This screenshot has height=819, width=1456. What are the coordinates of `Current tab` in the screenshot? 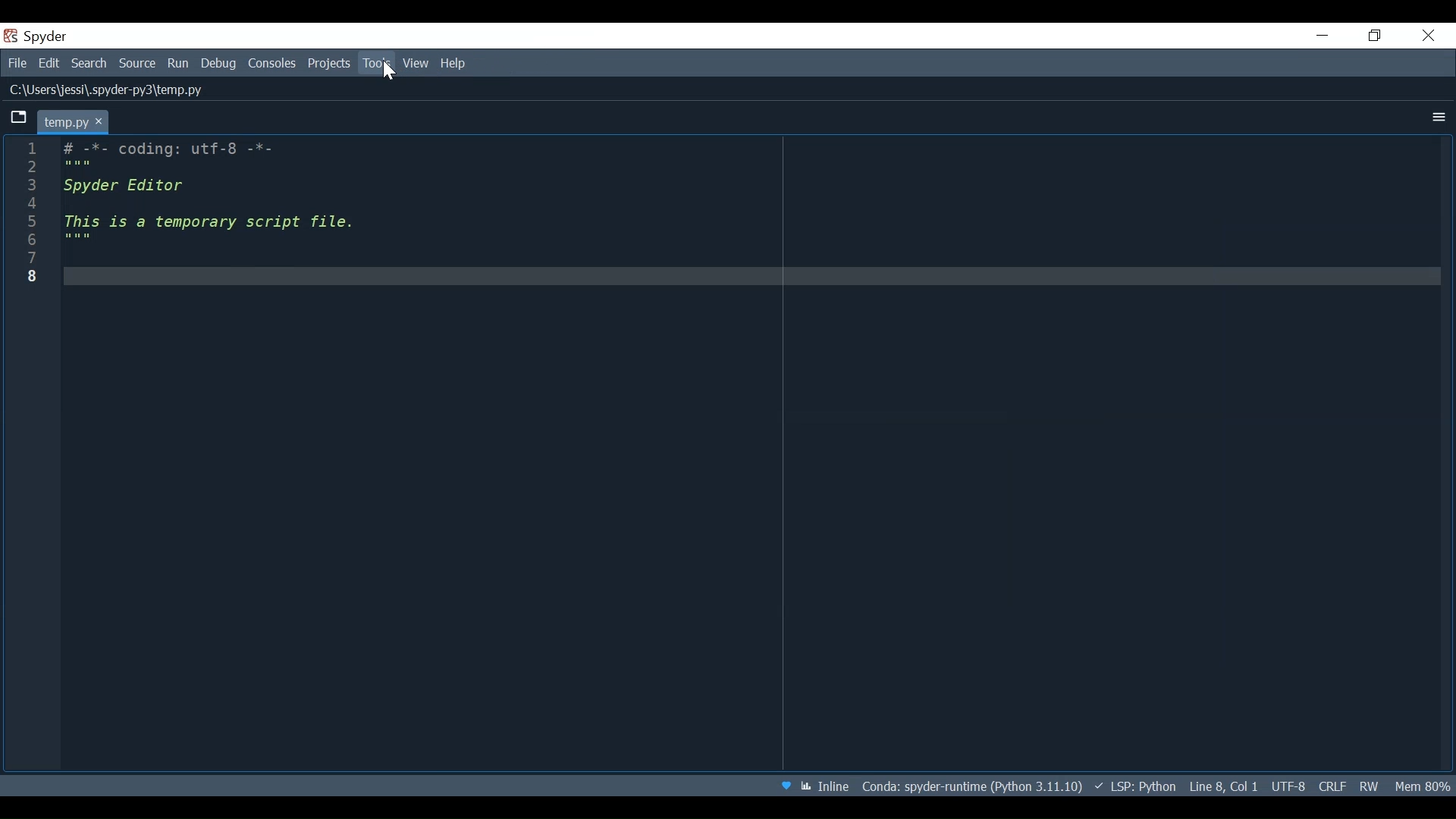 It's located at (74, 121).